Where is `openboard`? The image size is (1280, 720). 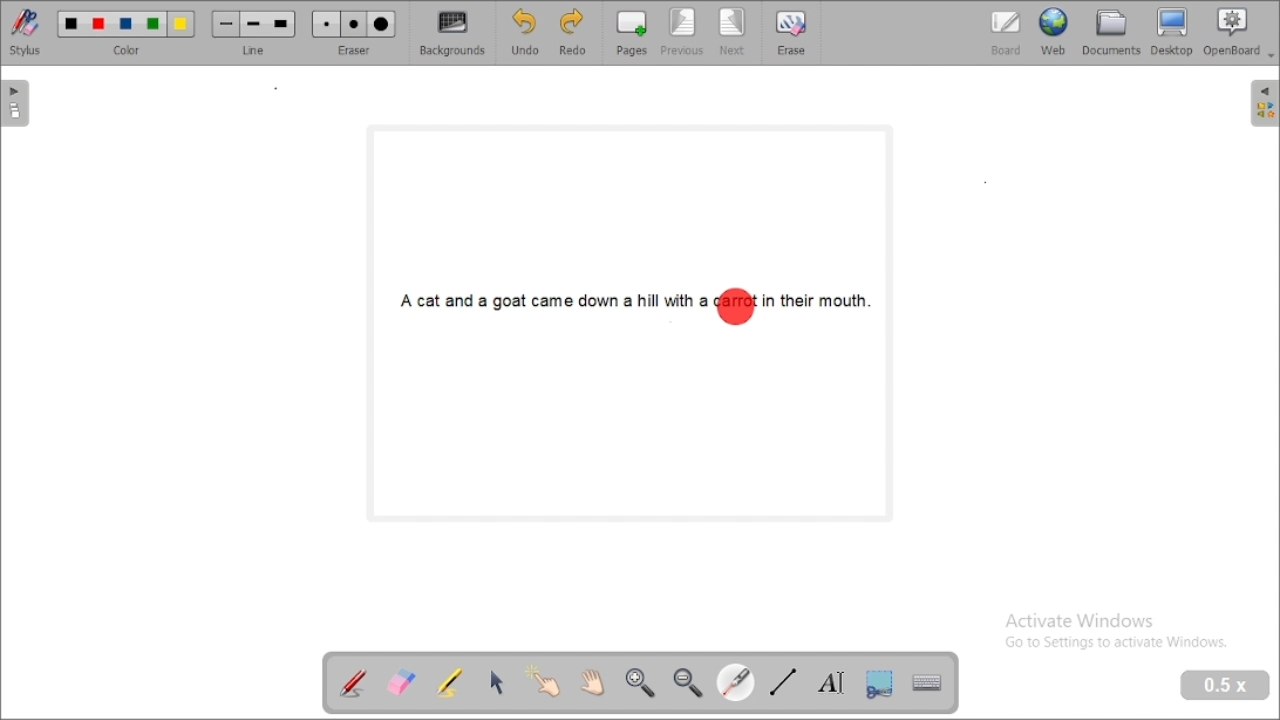
openboard is located at coordinates (1232, 32).